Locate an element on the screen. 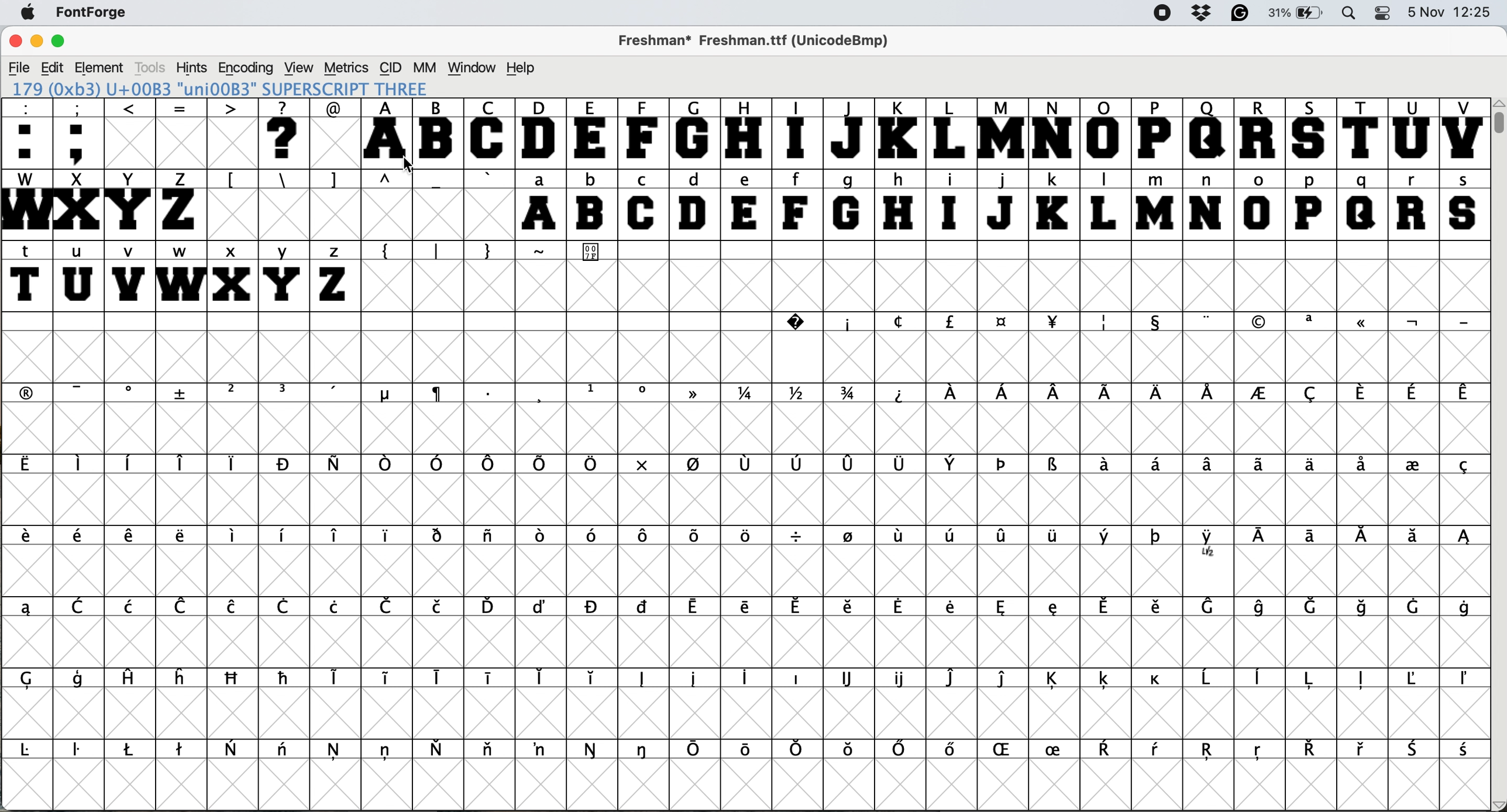  symbol is located at coordinates (749, 679).